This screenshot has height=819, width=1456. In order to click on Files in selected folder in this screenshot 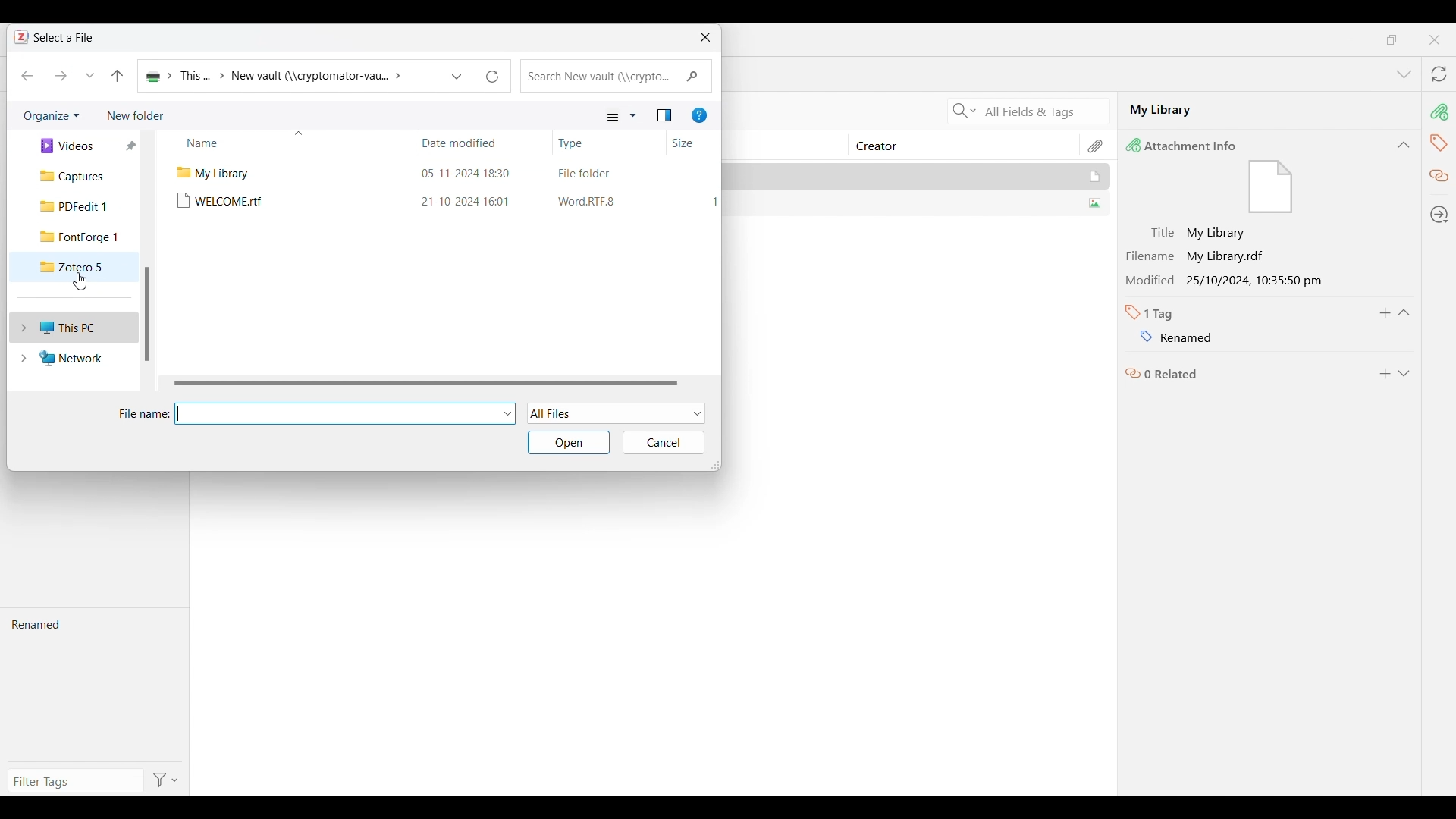, I will do `click(220, 200)`.